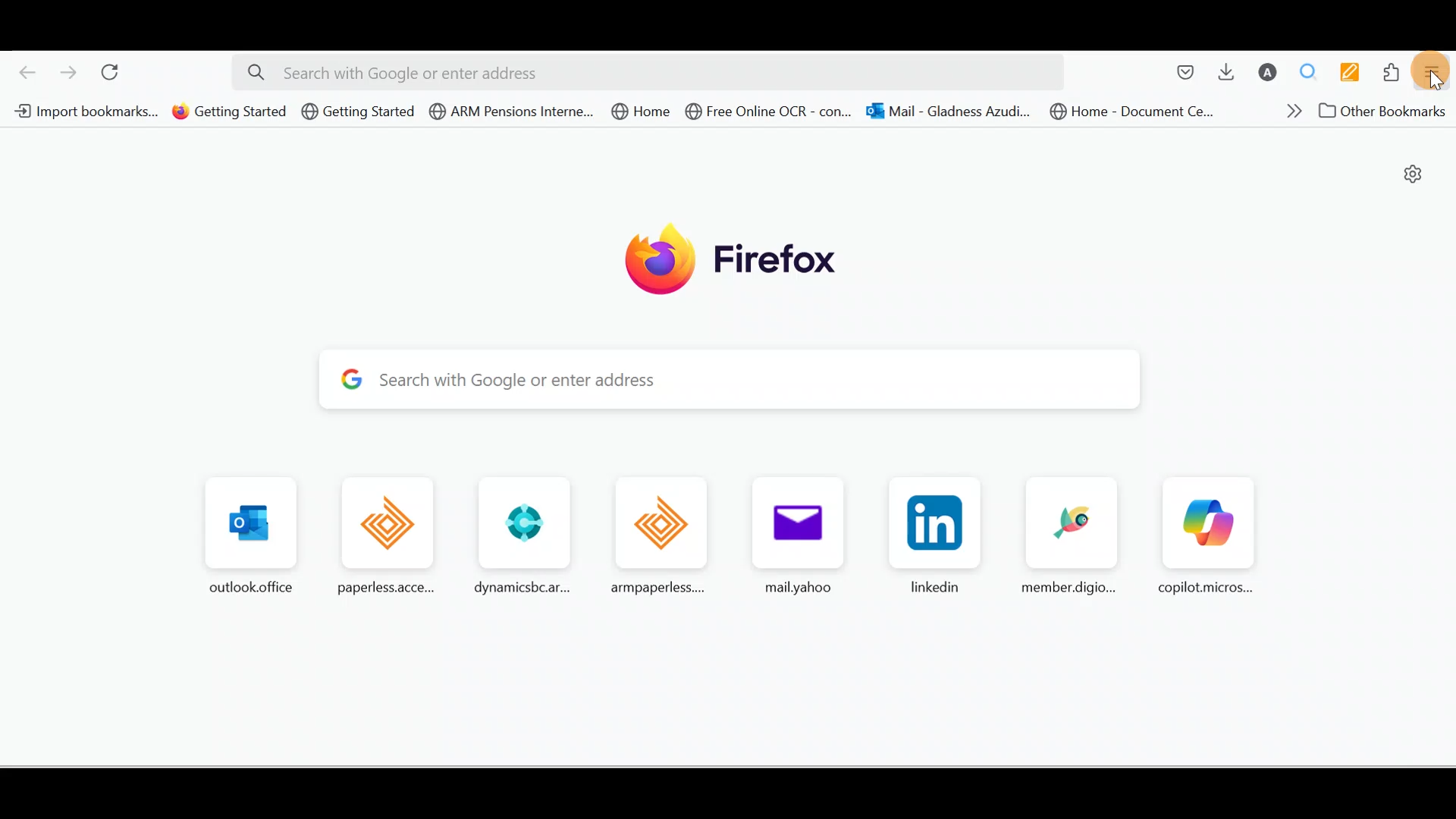 This screenshot has width=1456, height=819. I want to click on Reload current page, so click(115, 69).